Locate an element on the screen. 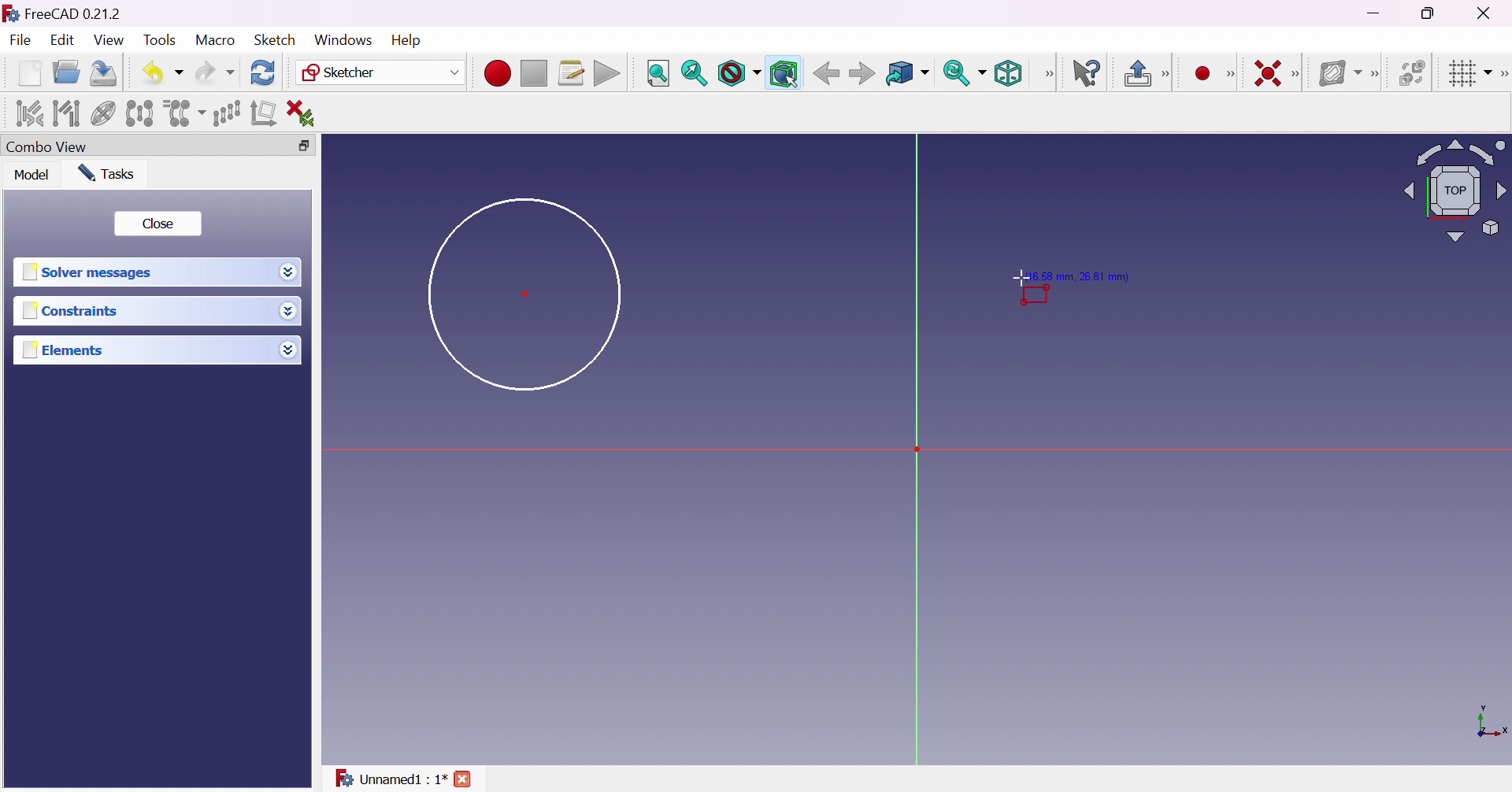 The image size is (1512, 792). Toggle grid is located at coordinates (1468, 72).